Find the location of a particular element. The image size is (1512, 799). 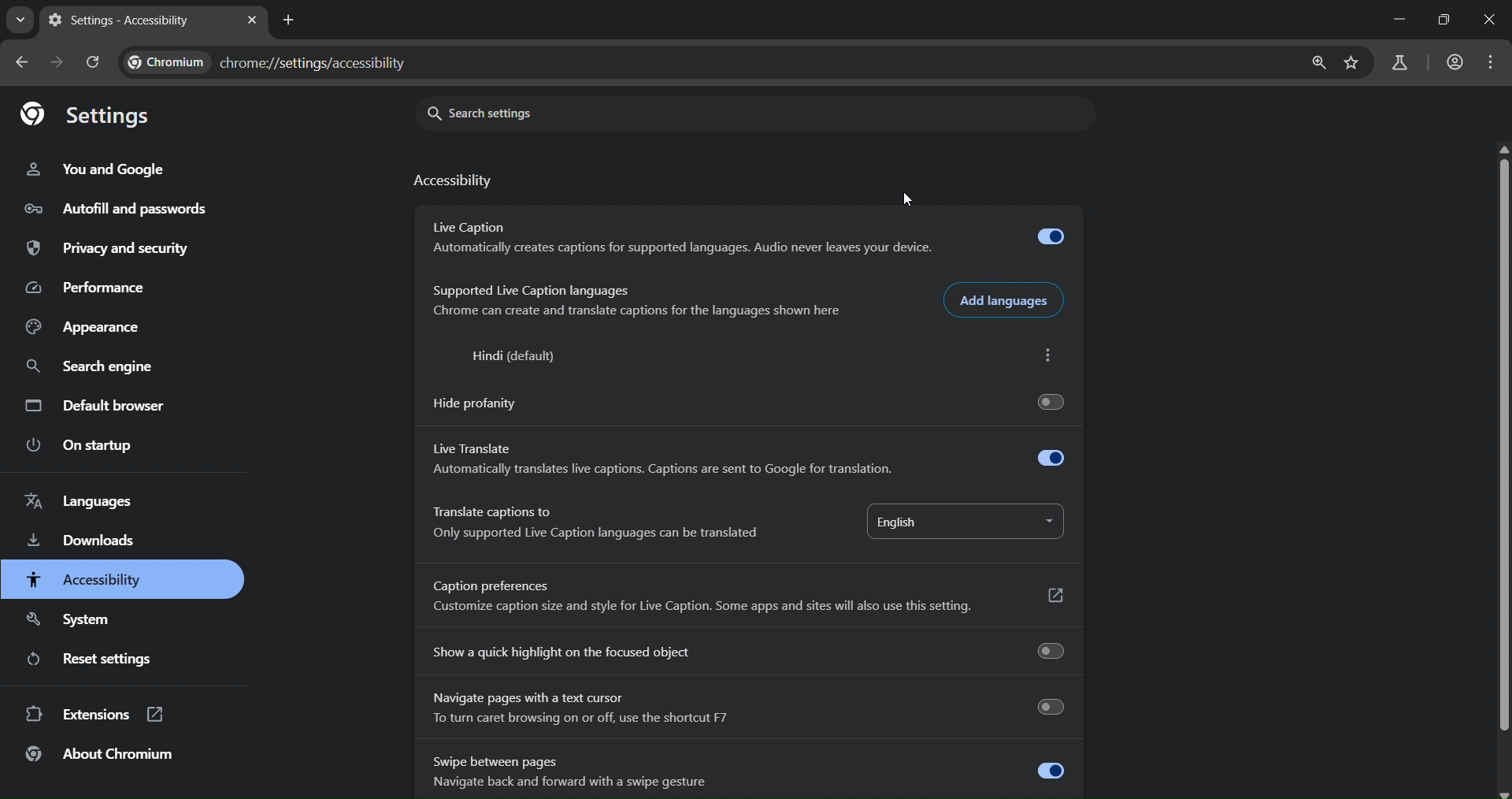

Hindi (default) is located at coordinates (508, 355).